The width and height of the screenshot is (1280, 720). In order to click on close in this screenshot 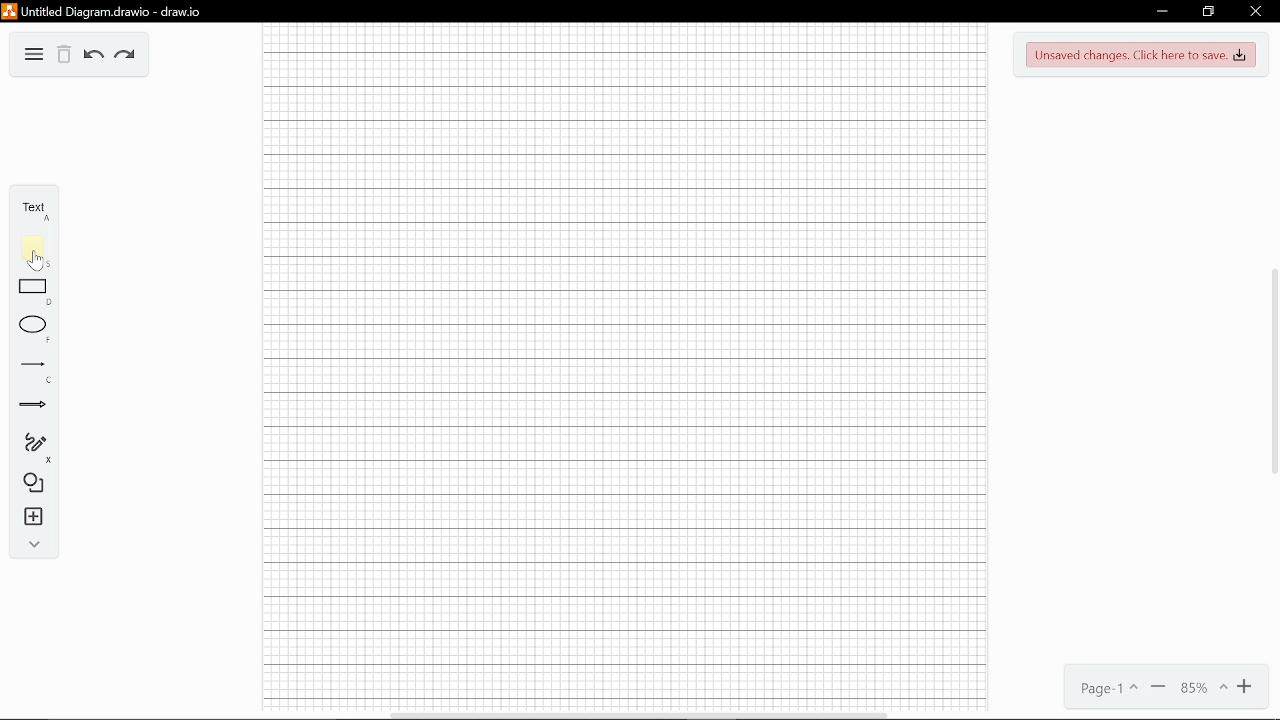, I will do `click(1254, 13)`.